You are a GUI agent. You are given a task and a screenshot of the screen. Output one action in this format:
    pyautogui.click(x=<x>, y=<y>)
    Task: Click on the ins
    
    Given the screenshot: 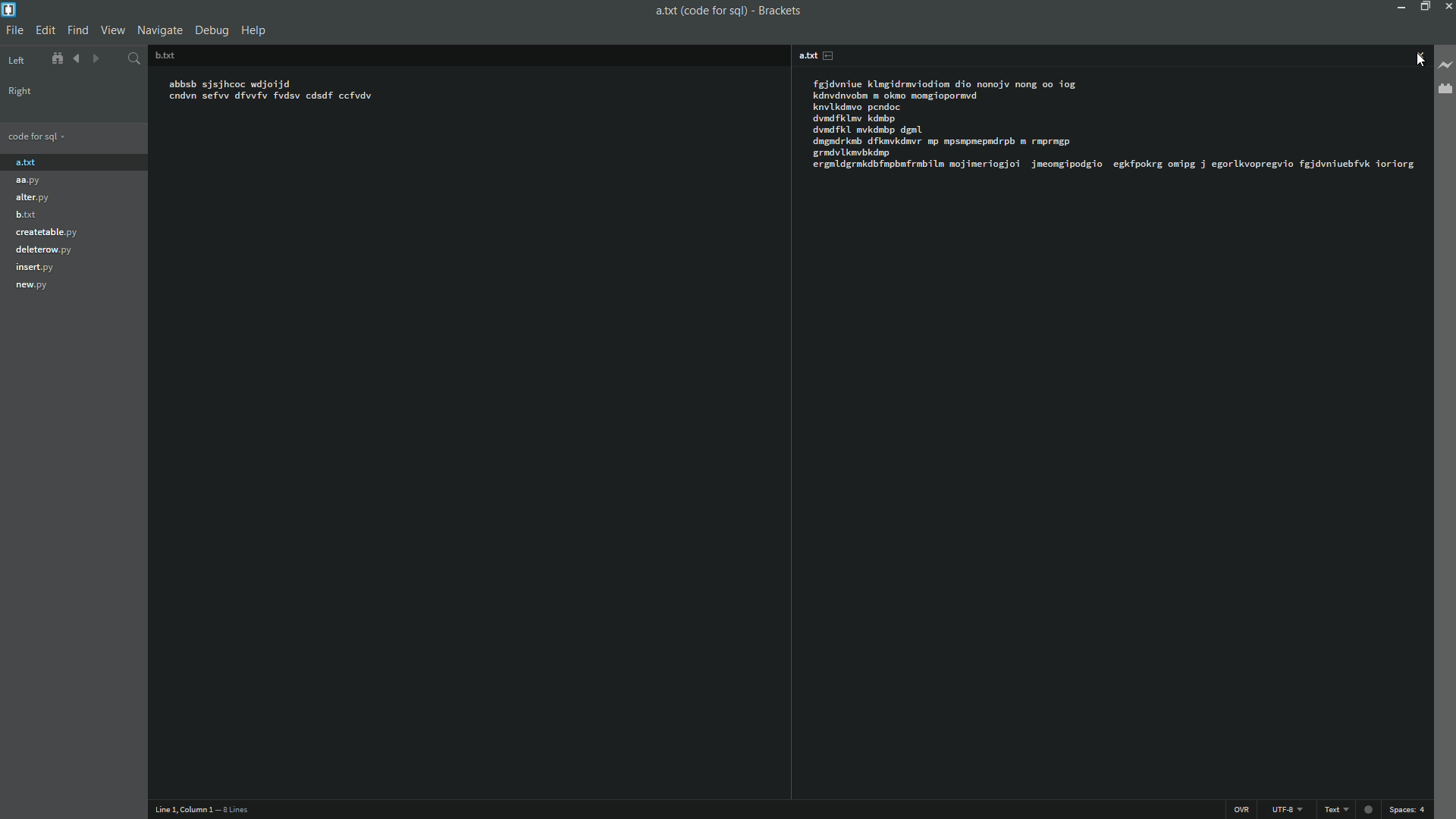 What is the action you would take?
    pyautogui.click(x=1241, y=810)
    